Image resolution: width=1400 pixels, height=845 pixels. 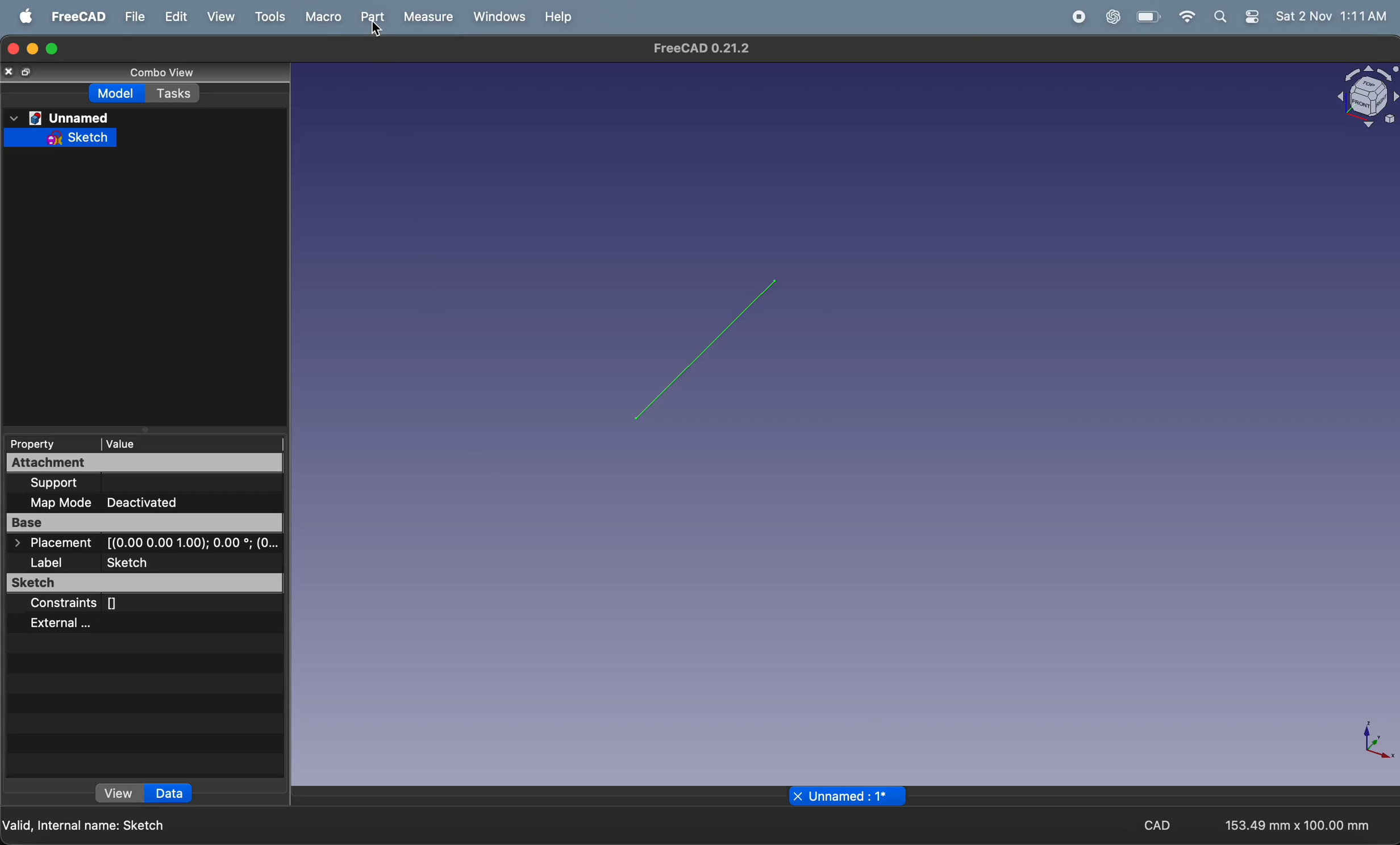 What do you see at coordinates (48, 444) in the screenshot?
I see `property` at bounding box center [48, 444].